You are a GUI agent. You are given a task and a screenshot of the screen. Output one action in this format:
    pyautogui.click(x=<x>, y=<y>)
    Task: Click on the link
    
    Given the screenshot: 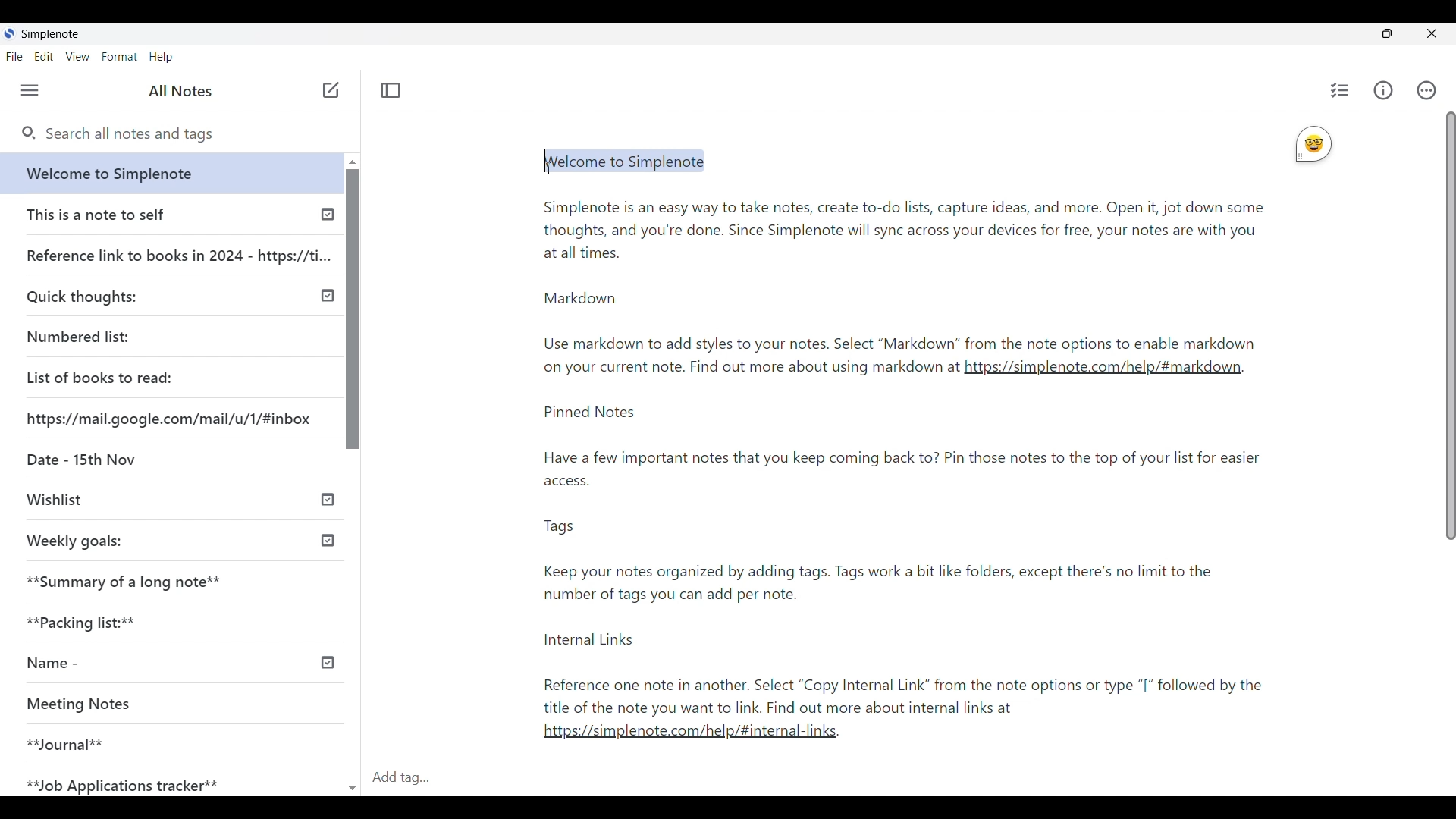 What is the action you would take?
    pyautogui.click(x=696, y=736)
    